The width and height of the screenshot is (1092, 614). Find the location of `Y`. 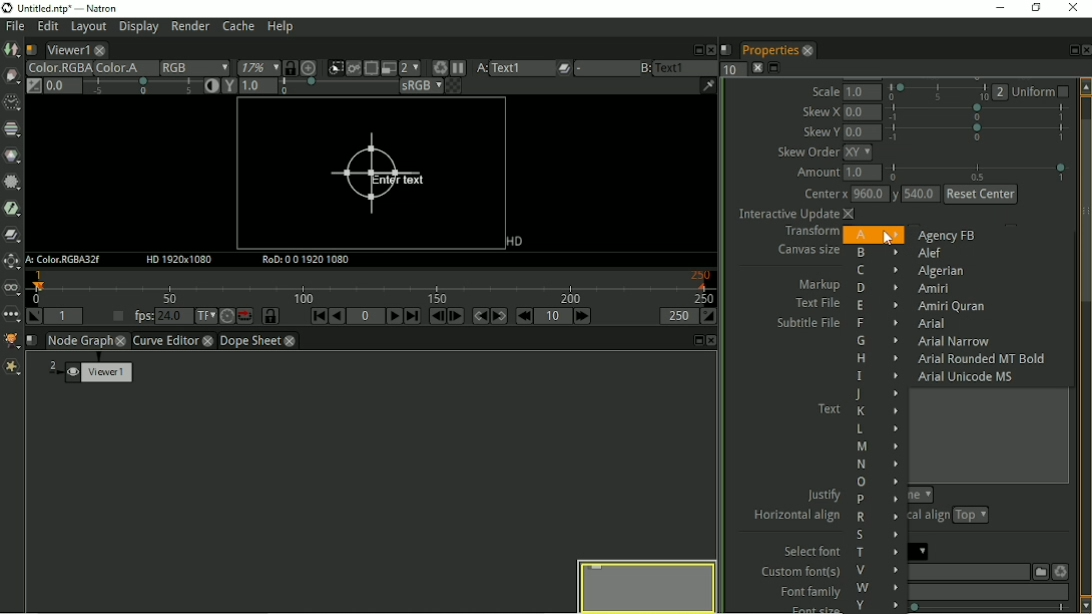

Y is located at coordinates (877, 605).